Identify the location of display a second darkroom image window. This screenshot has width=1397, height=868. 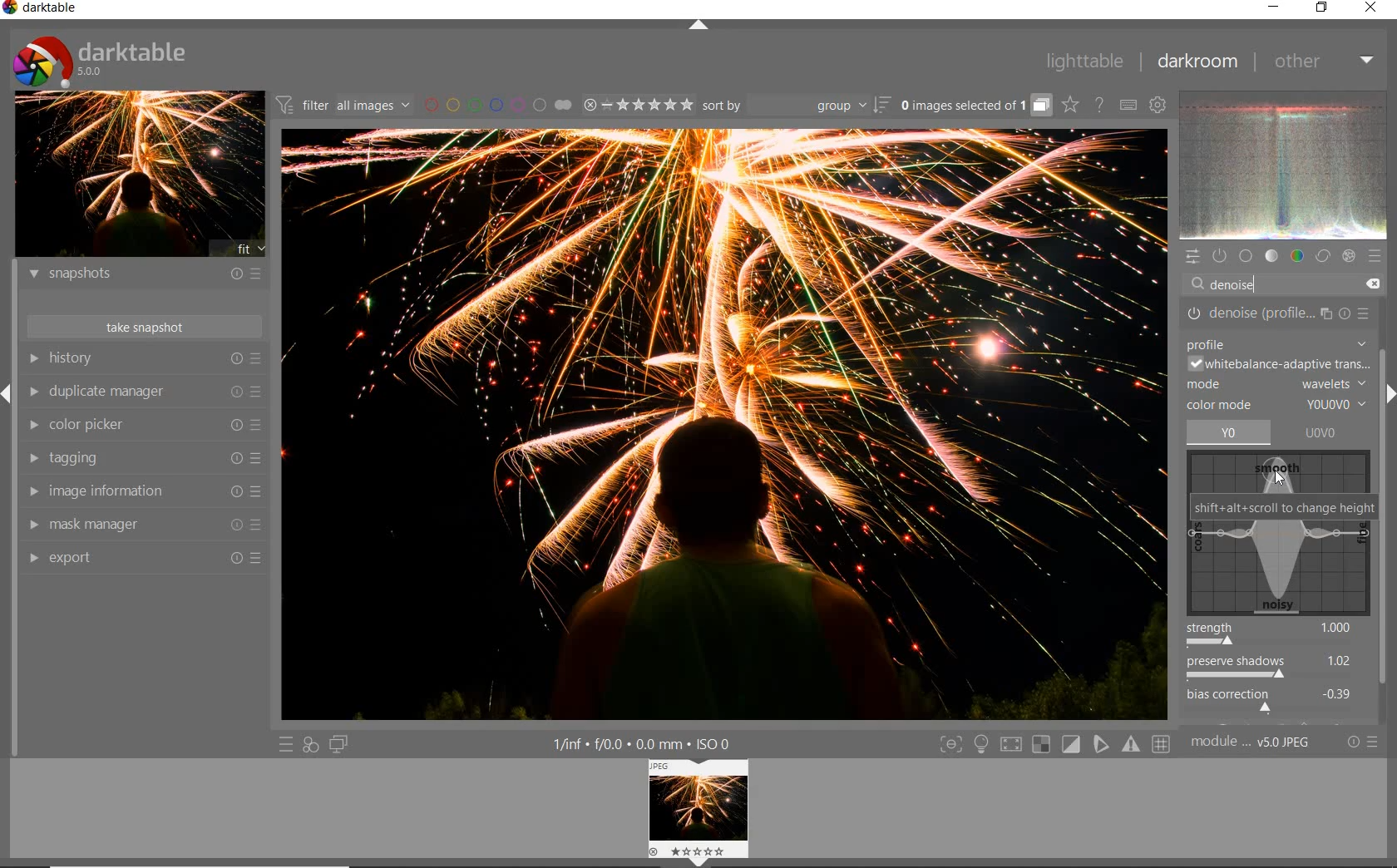
(341, 745).